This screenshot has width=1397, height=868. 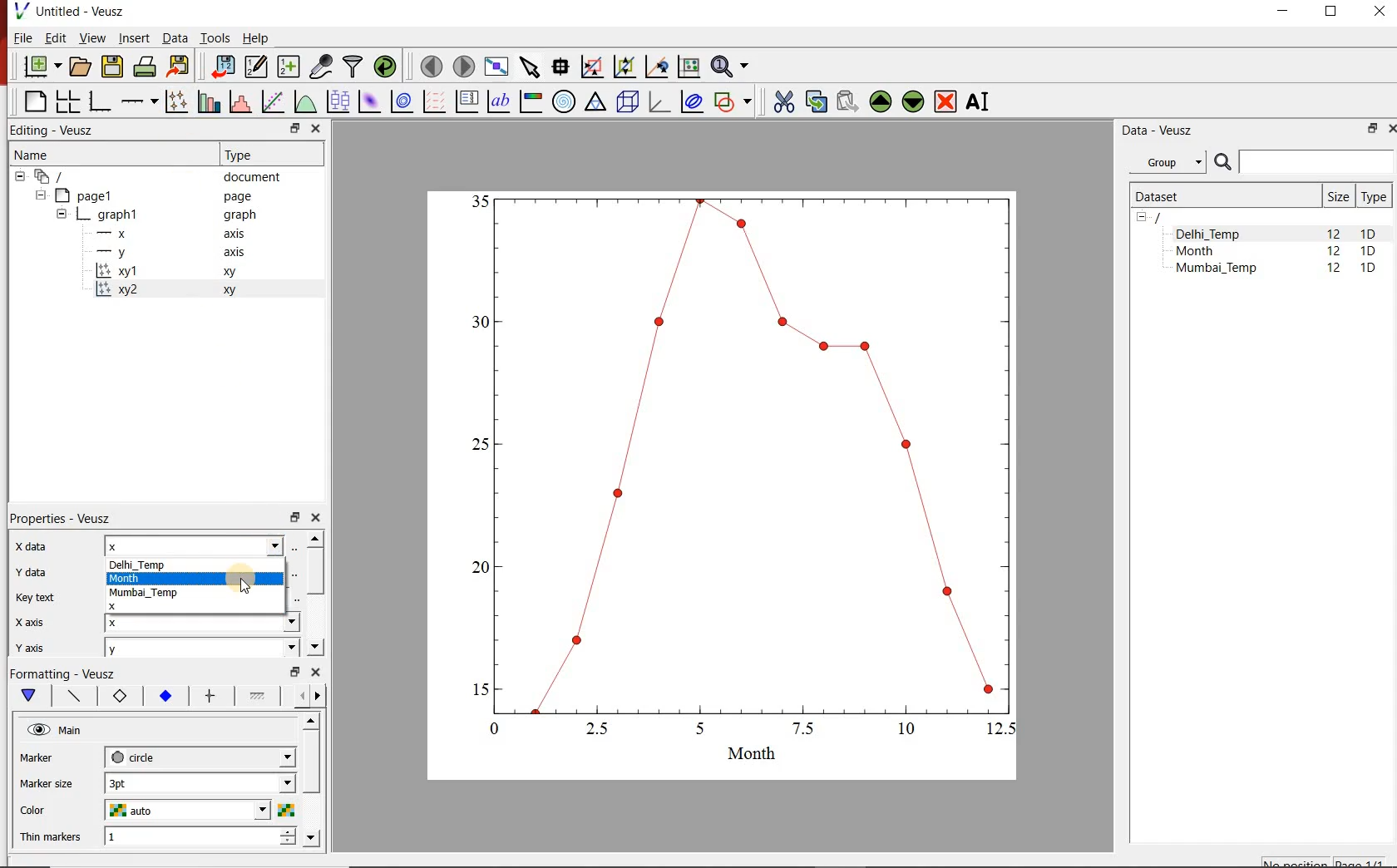 I want to click on renames the selected widget, so click(x=979, y=102).